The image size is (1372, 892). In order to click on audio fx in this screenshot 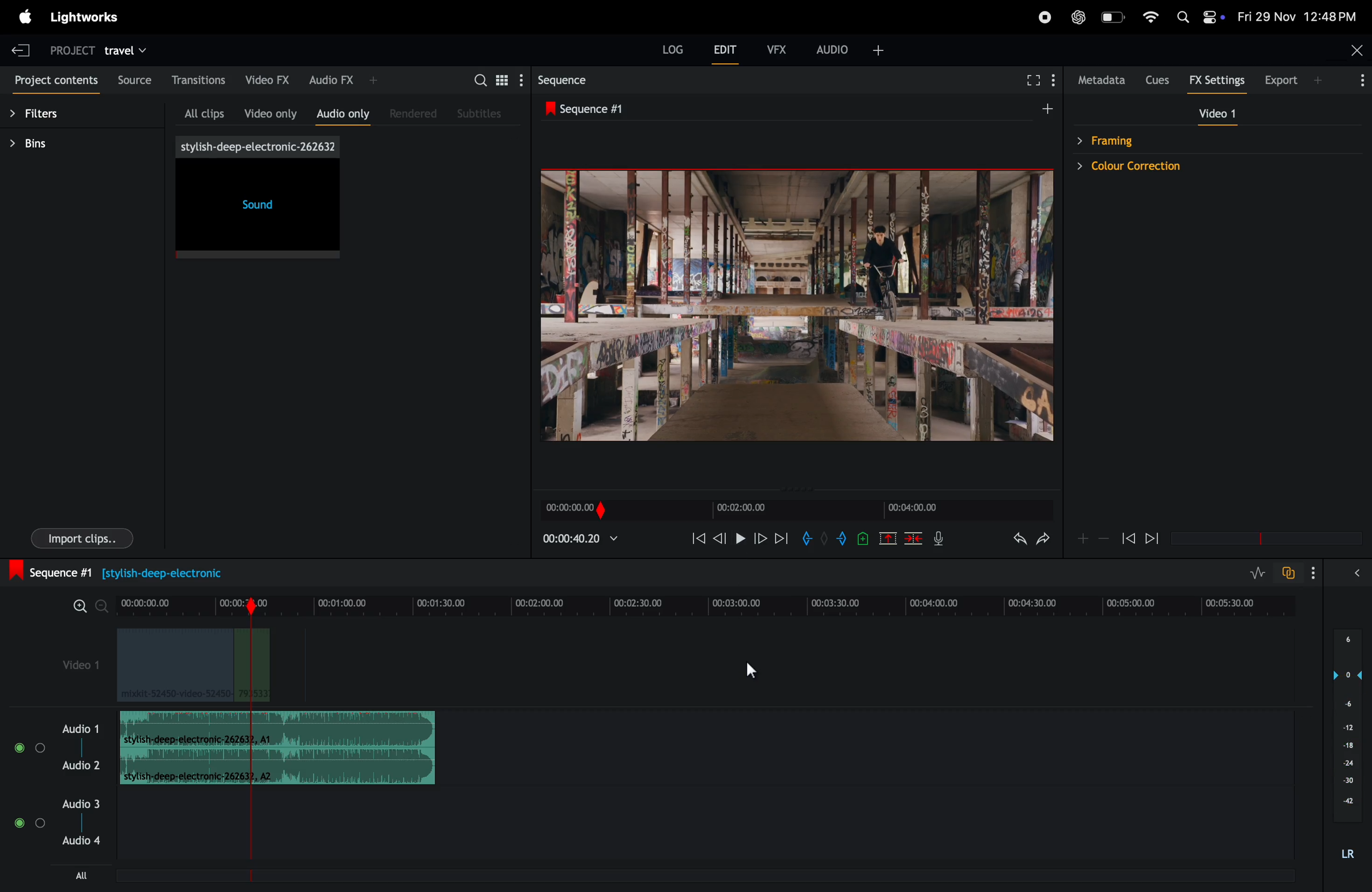, I will do `click(345, 80)`.